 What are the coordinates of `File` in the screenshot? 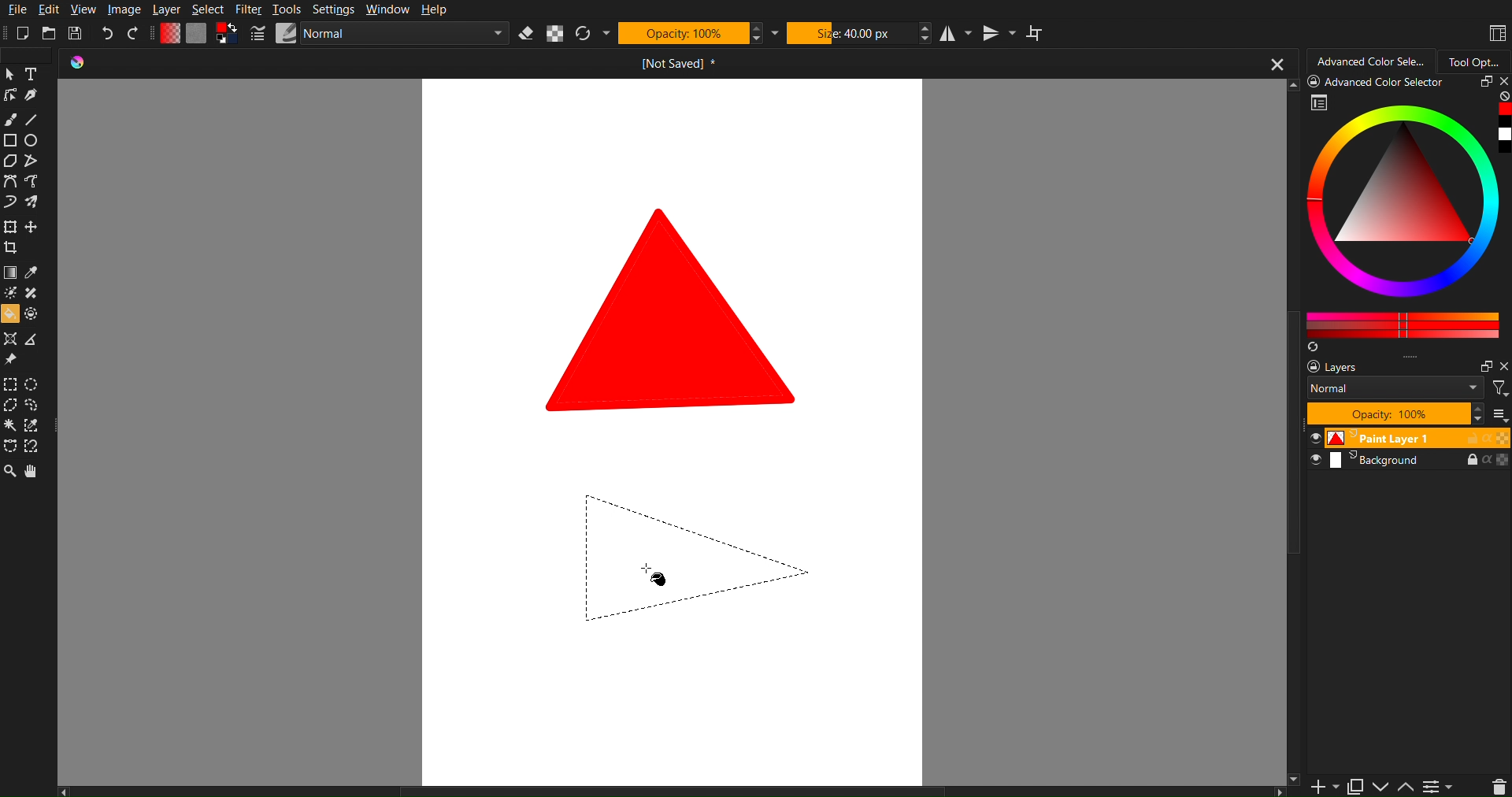 It's located at (20, 11).